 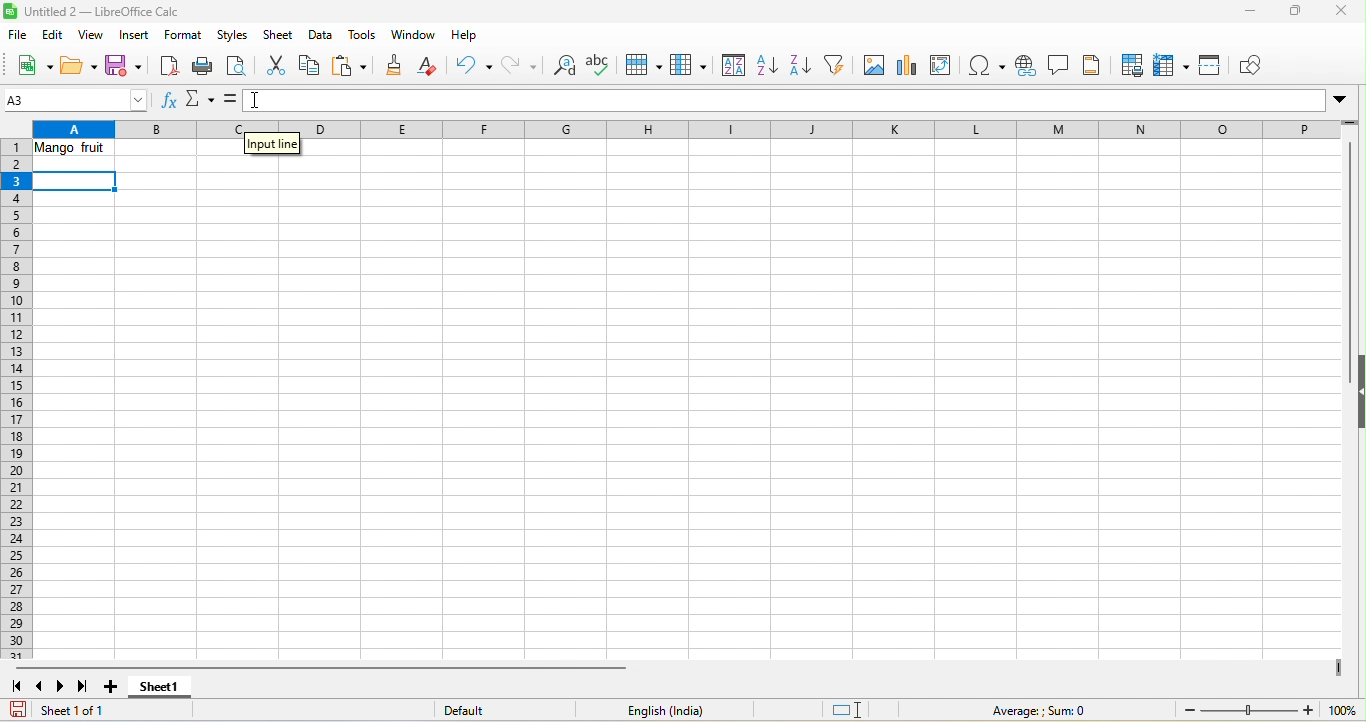 What do you see at coordinates (462, 36) in the screenshot?
I see `help` at bounding box center [462, 36].